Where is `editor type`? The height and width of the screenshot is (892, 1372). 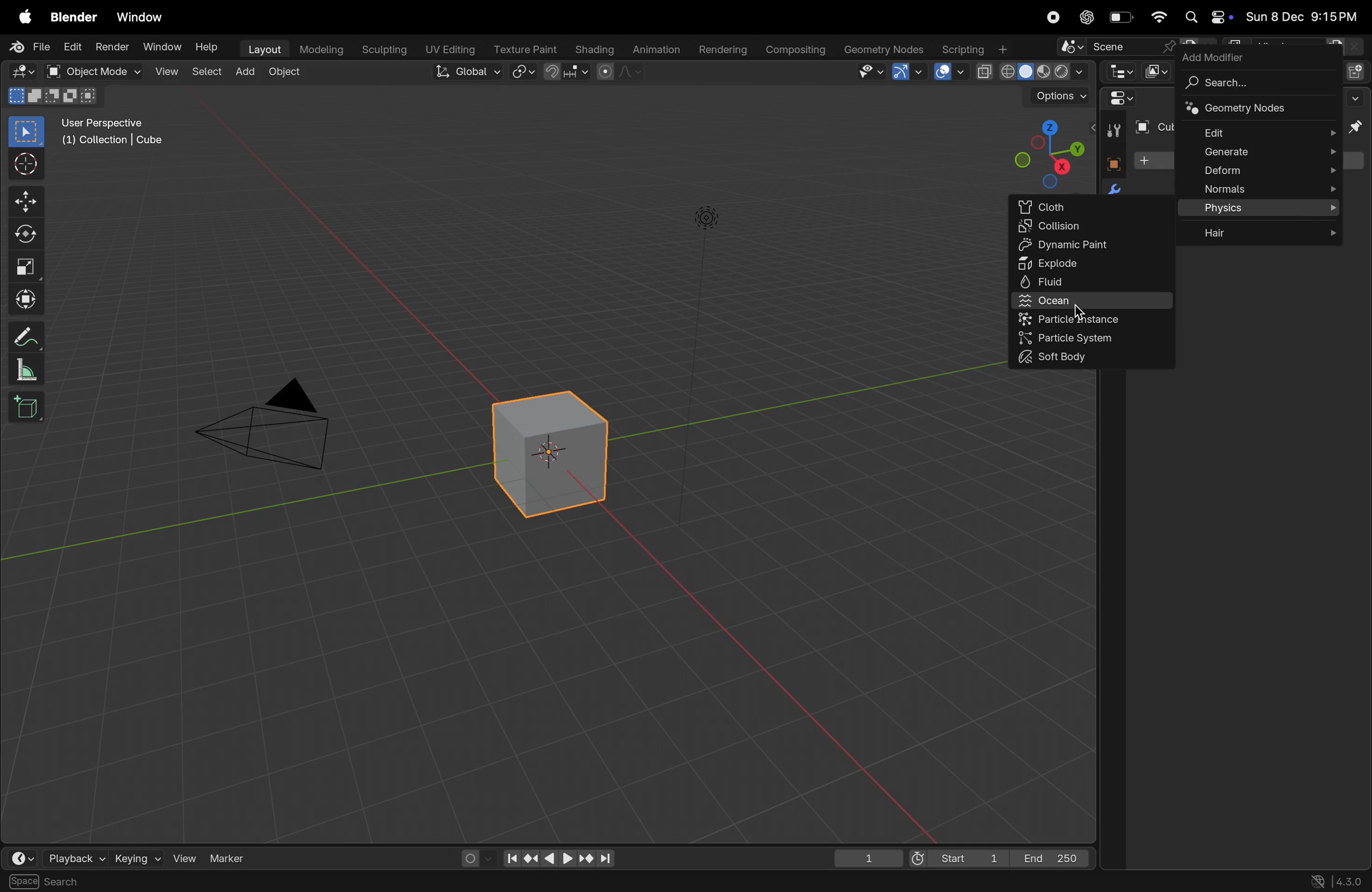
editor type is located at coordinates (1118, 71).